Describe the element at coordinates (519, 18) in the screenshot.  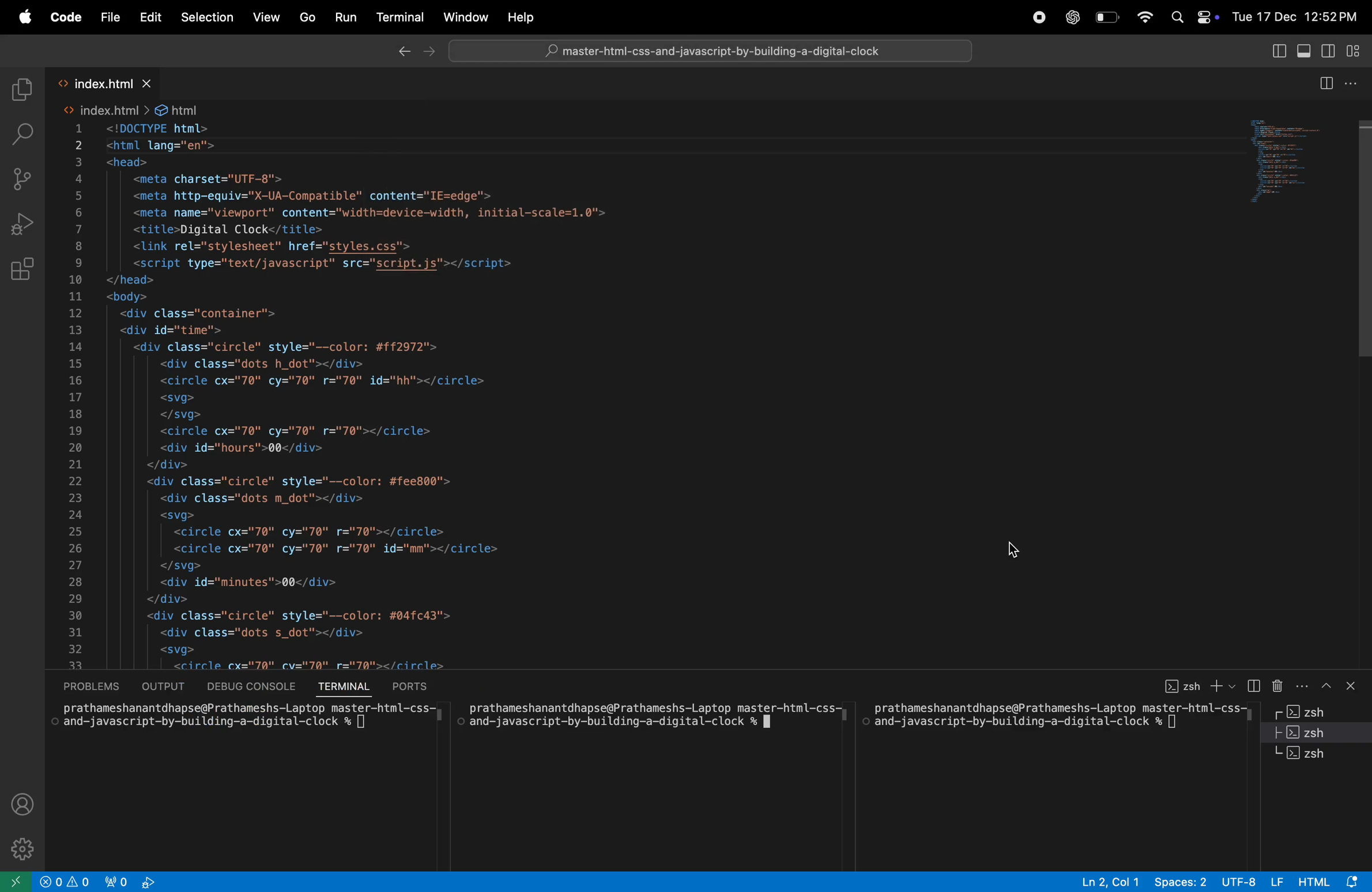
I see `help` at that location.